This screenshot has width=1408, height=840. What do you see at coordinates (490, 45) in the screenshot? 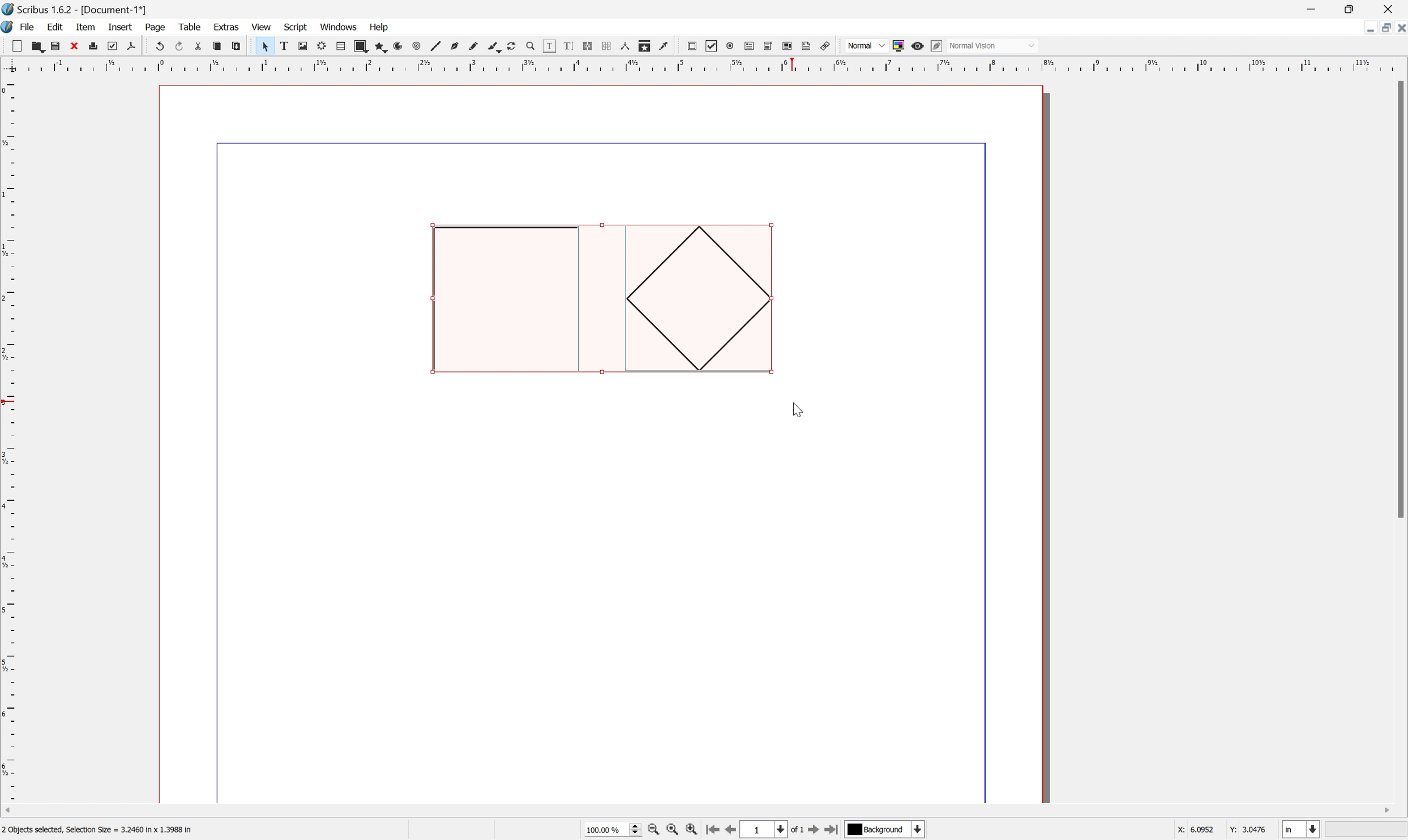
I see `calligraphic line` at bounding box center [490, 45].